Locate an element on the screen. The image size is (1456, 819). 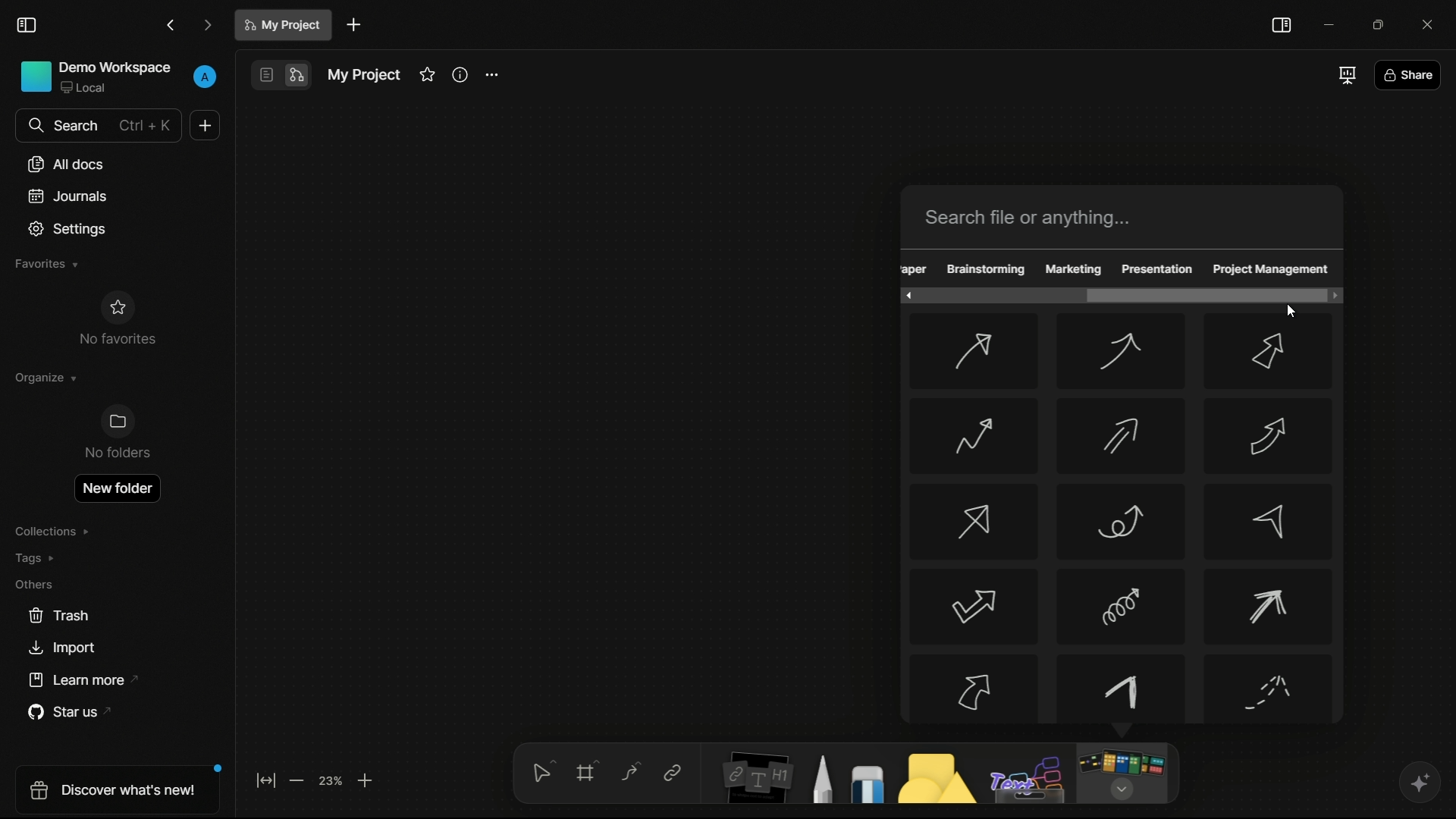
settings is located at coordinates (68, 229).